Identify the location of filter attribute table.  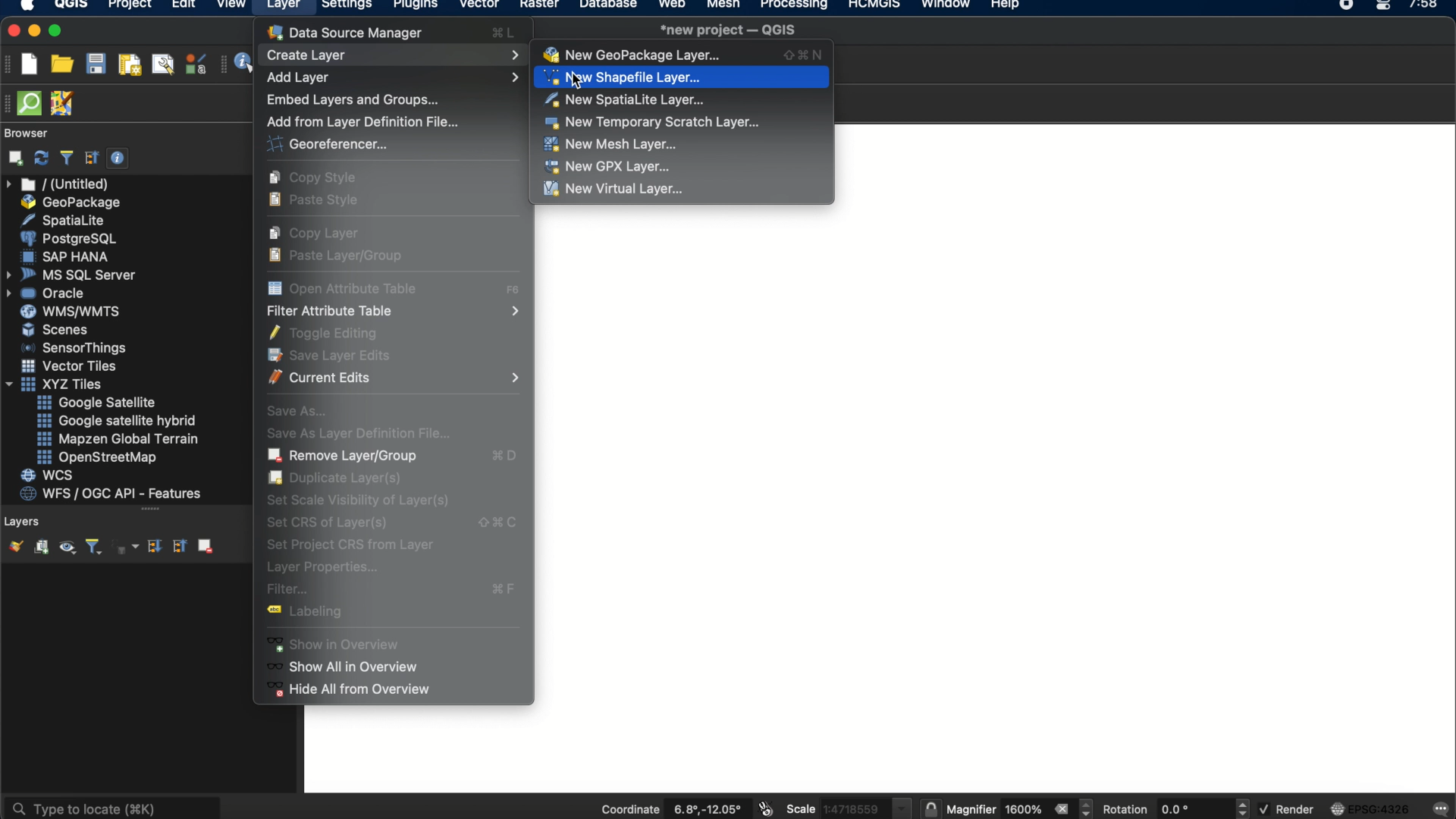
(394, 309).